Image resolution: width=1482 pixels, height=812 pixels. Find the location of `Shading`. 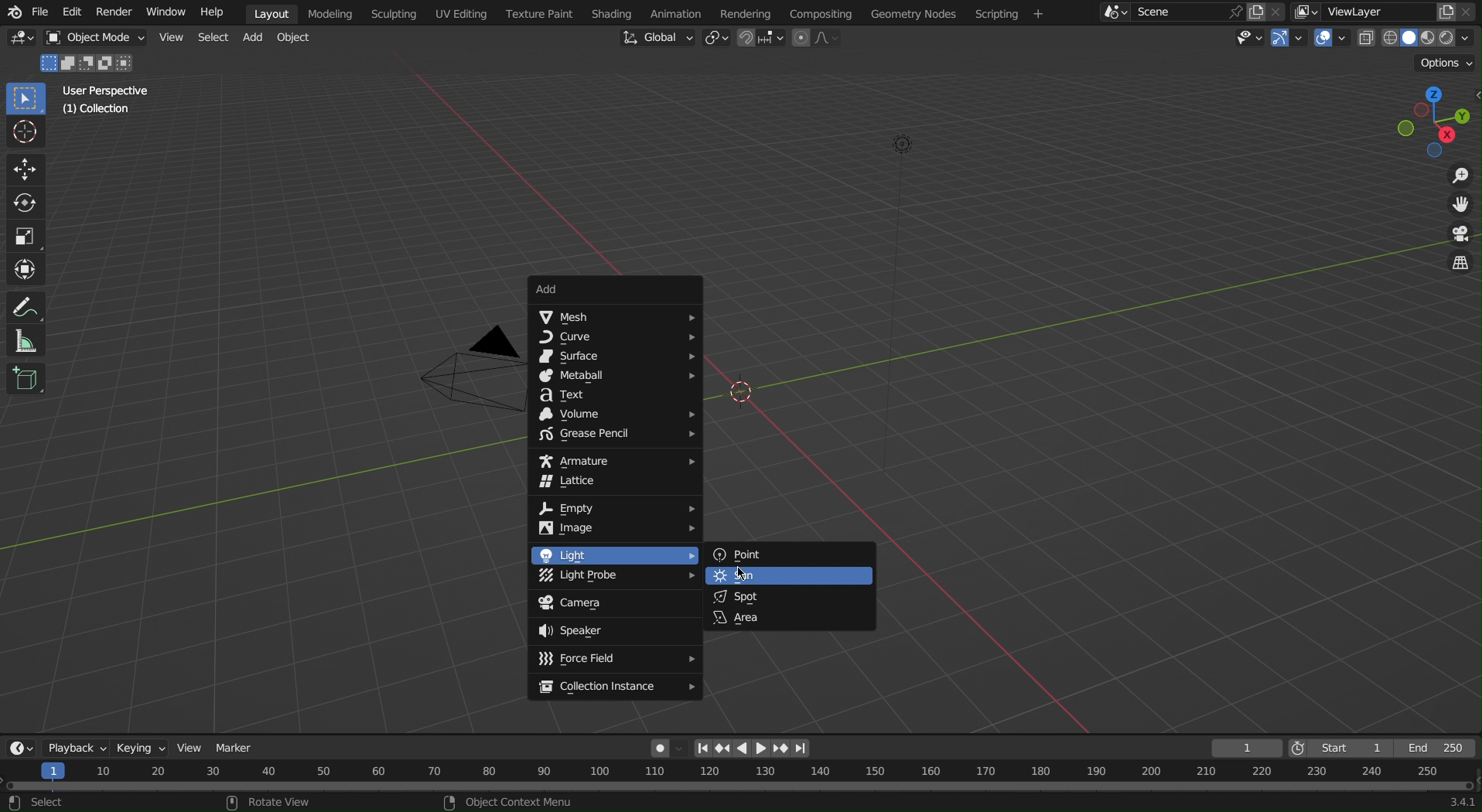

Shading is located at coordinates (611, 12).